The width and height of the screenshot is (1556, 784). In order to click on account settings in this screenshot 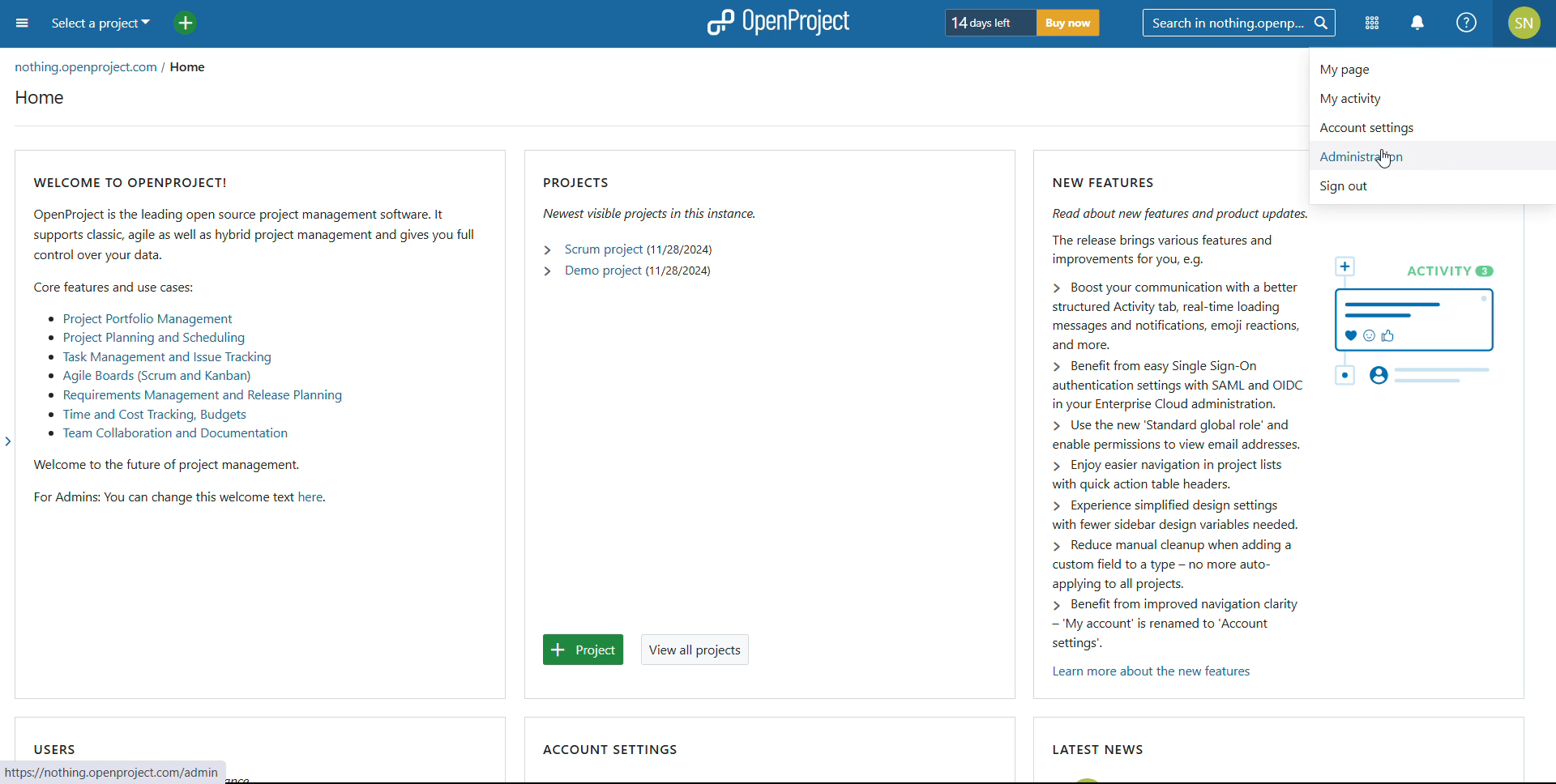, I will do `click(609, 748)`.